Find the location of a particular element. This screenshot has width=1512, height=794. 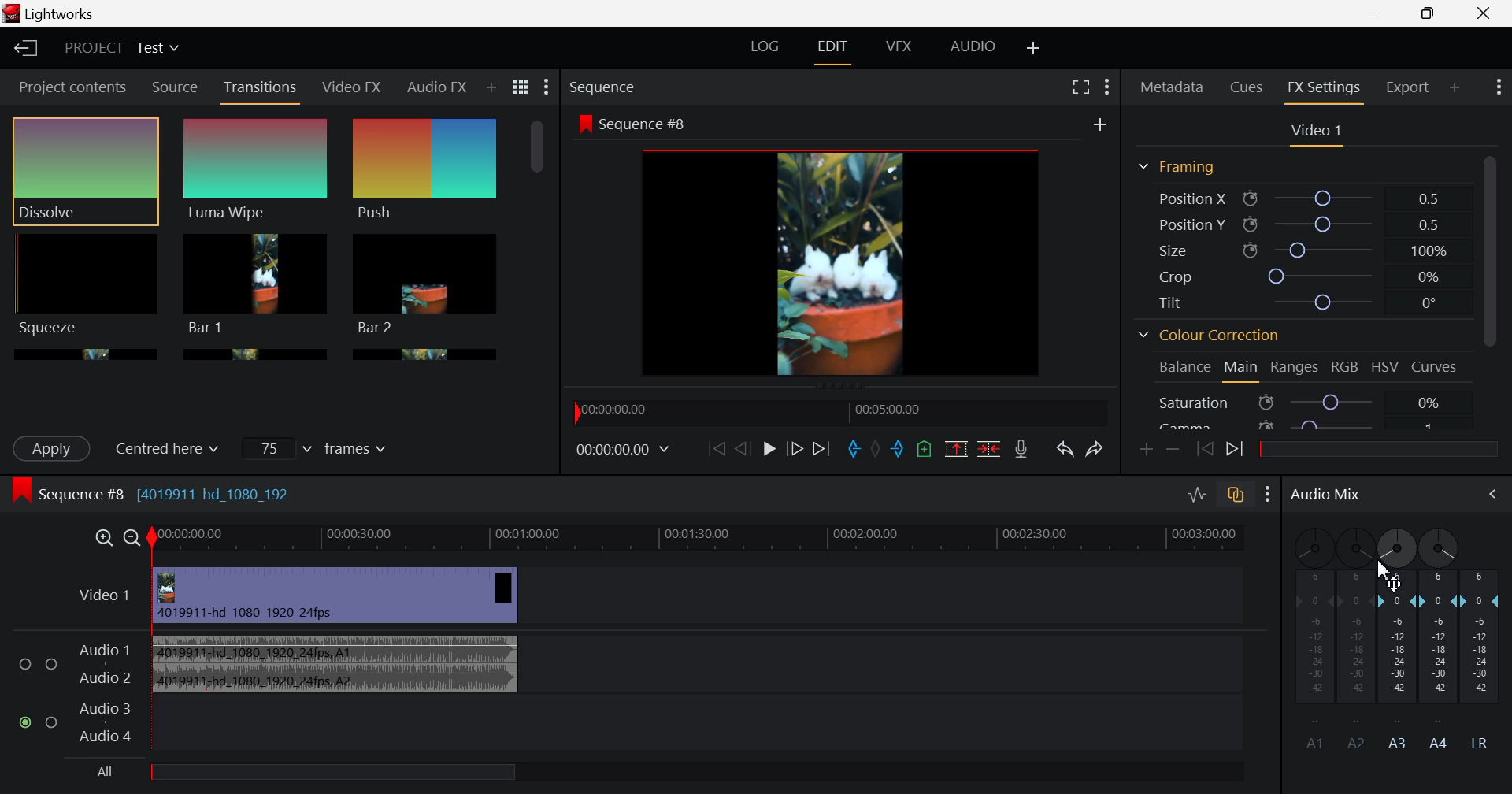

Video Settings is located at coordinates (1317, 135).